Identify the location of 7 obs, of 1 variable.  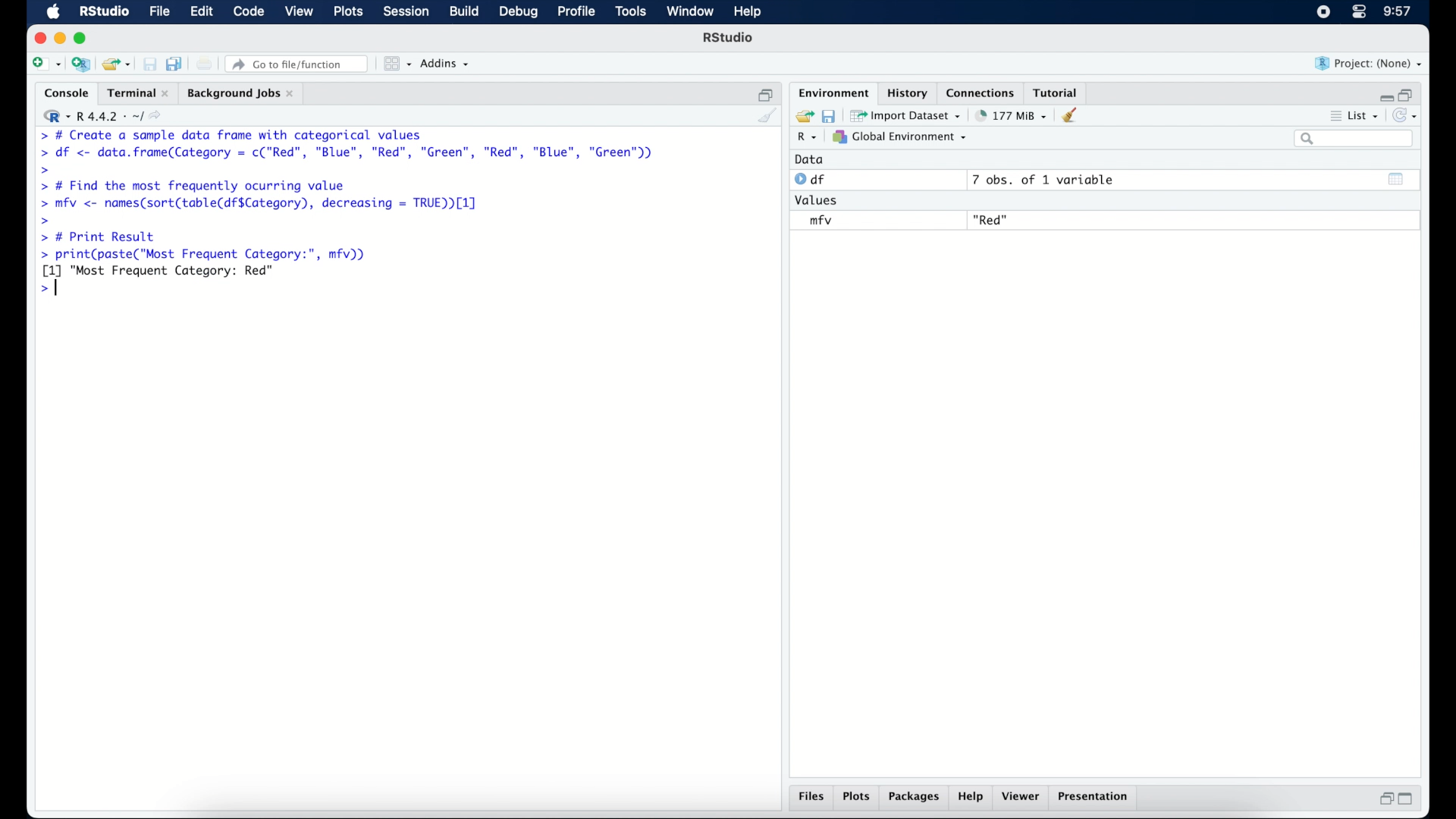
(1043, 180).